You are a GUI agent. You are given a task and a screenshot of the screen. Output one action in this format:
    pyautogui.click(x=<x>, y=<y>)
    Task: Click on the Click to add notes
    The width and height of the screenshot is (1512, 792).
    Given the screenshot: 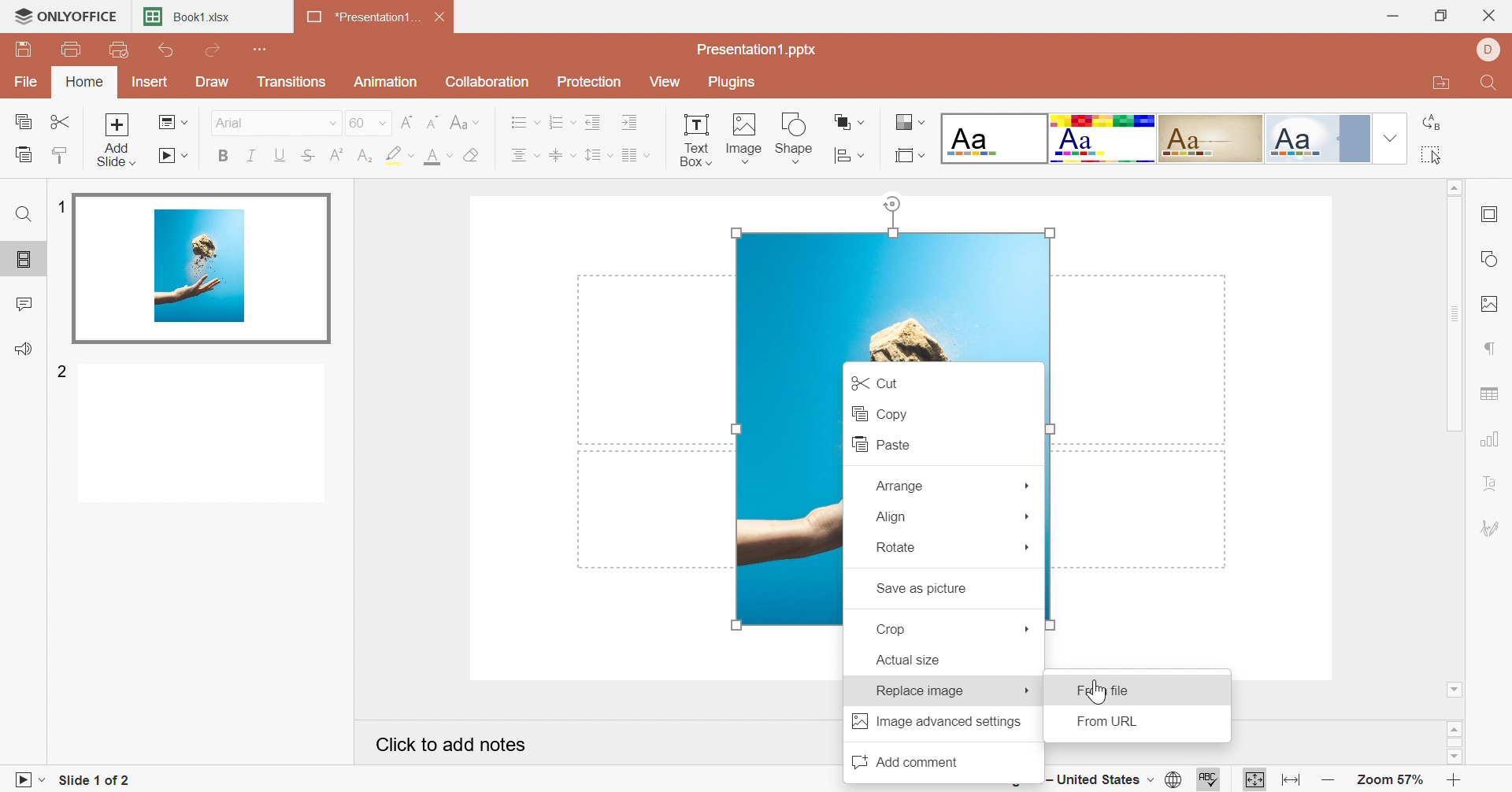 What is the action you would take?
    pyautogui.click(x=452, y=742)
    